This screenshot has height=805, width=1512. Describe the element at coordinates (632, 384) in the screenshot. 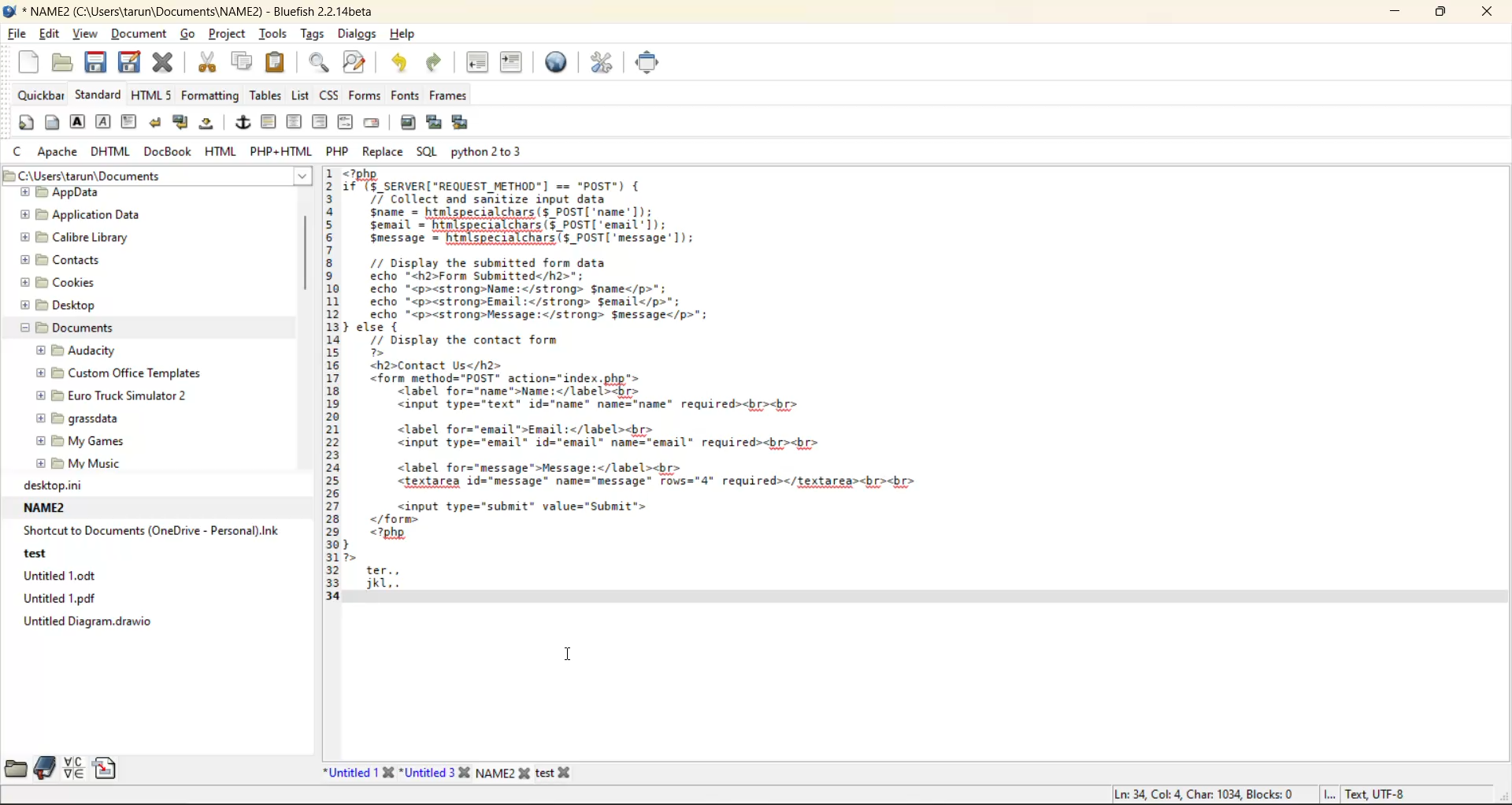

I see `code editor` at that location.